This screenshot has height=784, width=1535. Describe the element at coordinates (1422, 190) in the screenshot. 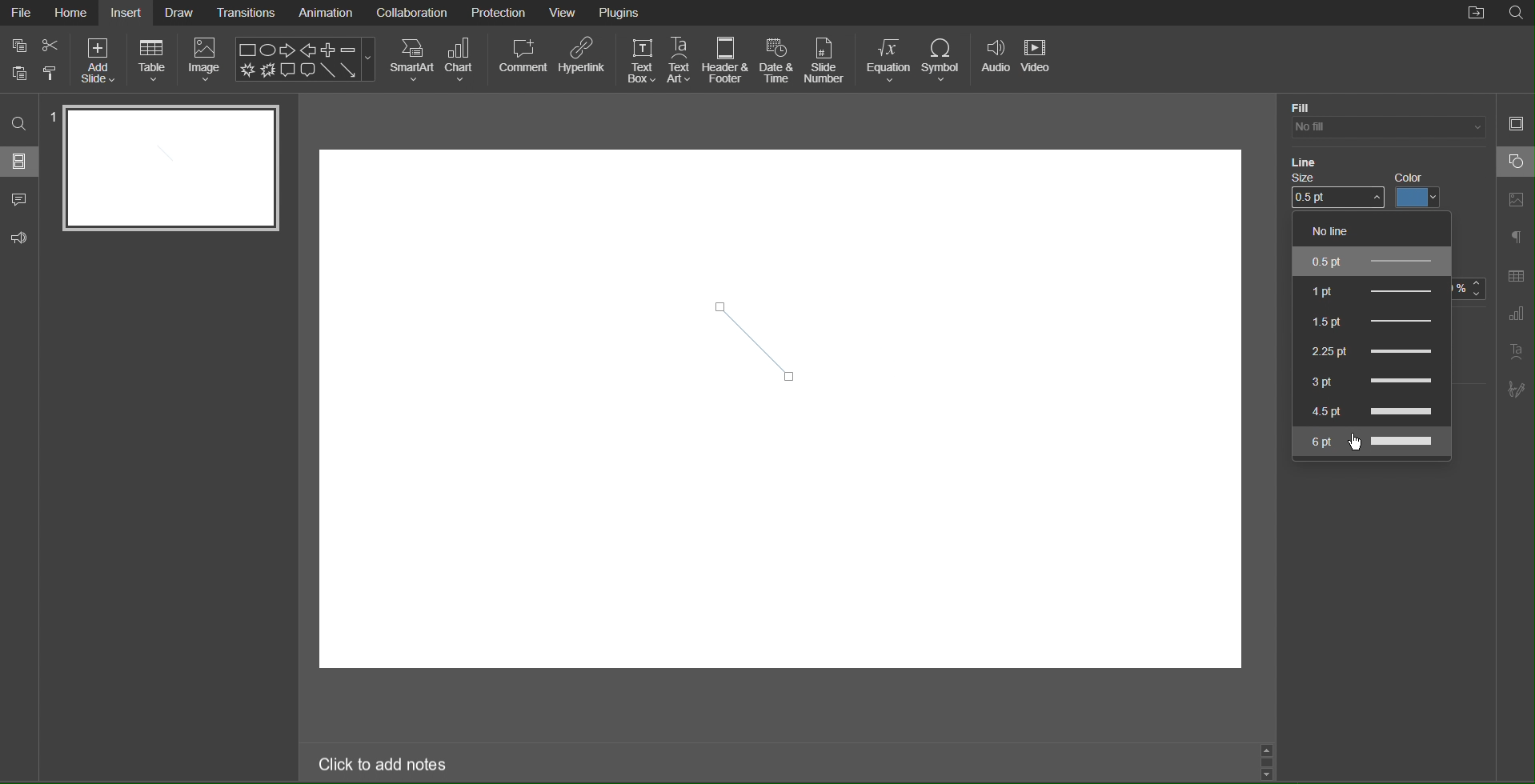

I see `Color: blue` at that location.